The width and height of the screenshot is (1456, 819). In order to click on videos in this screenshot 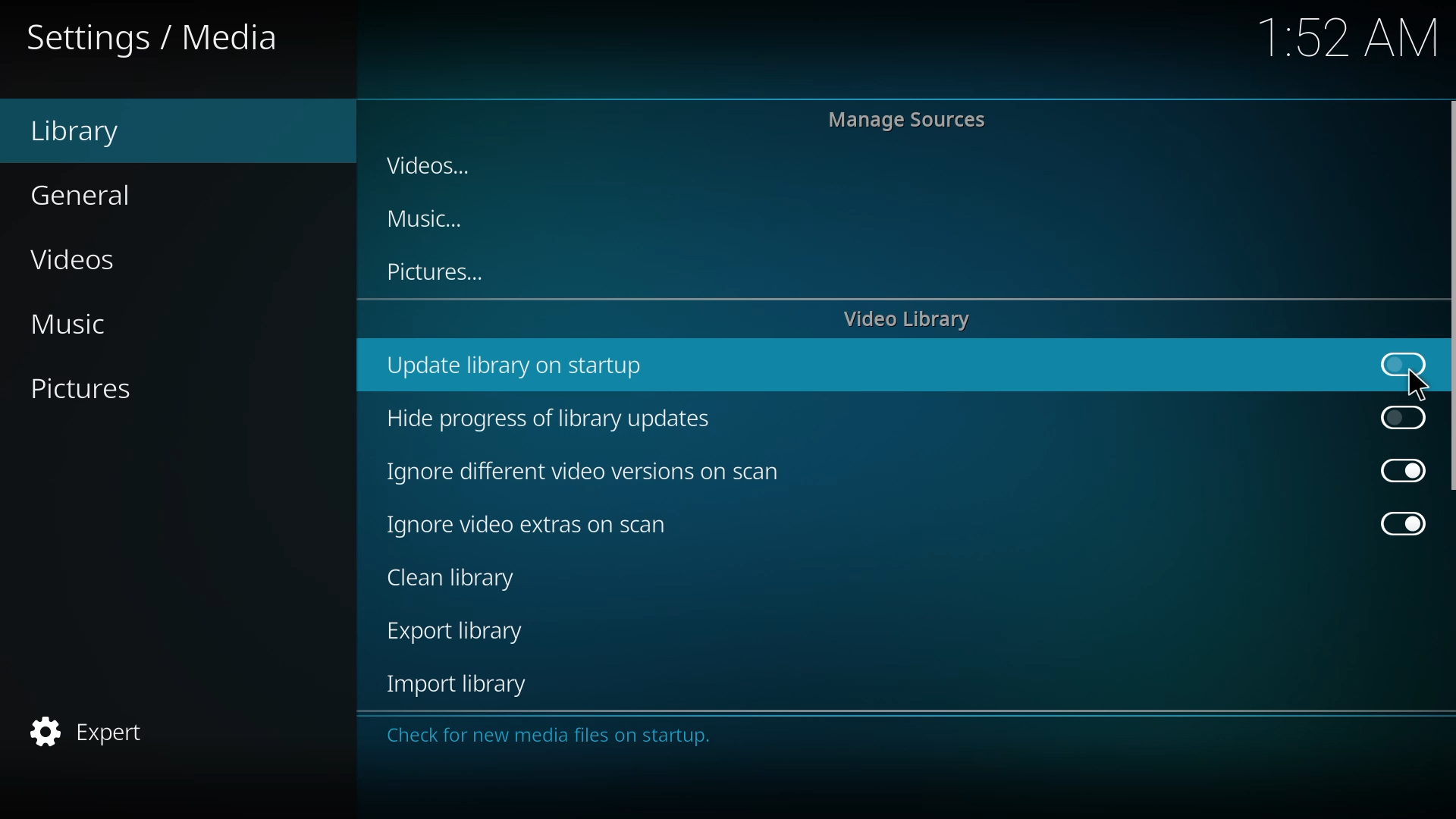, I will do `click(80, 257)`.